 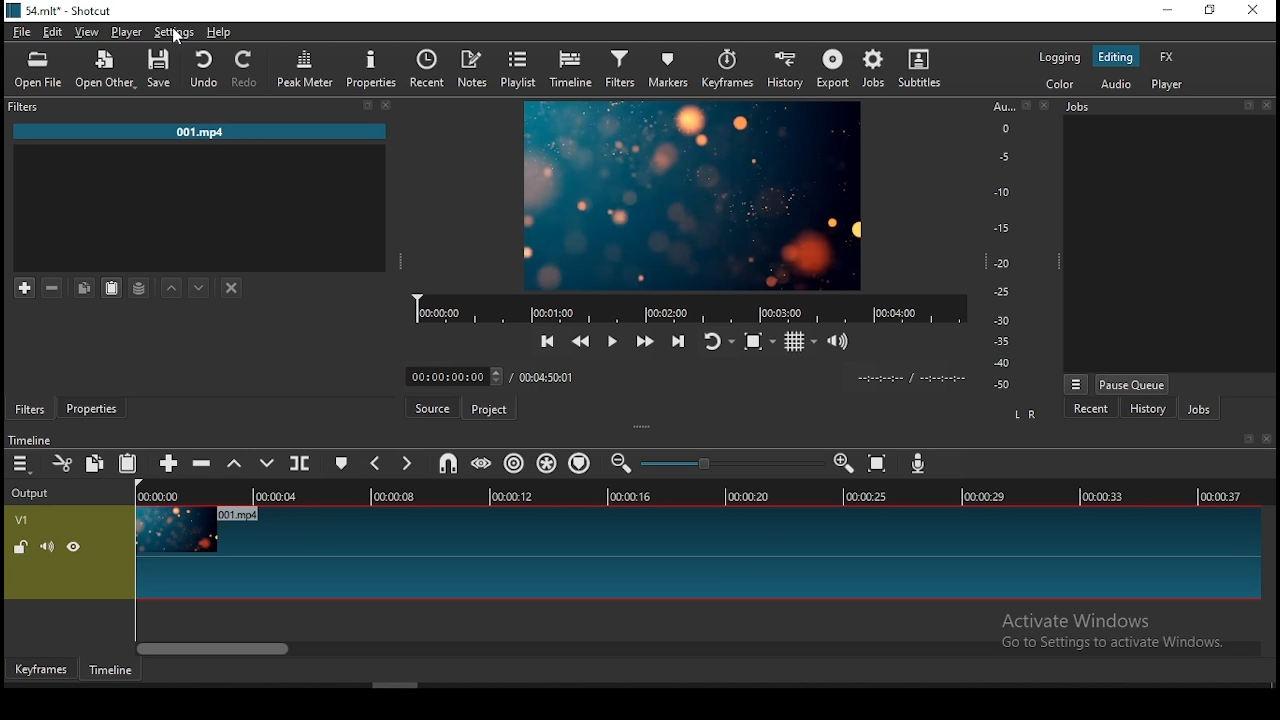 What do you see at coordinates (697, 553) in the screenshot?
I see `video track` at bounding box center [697, 553].